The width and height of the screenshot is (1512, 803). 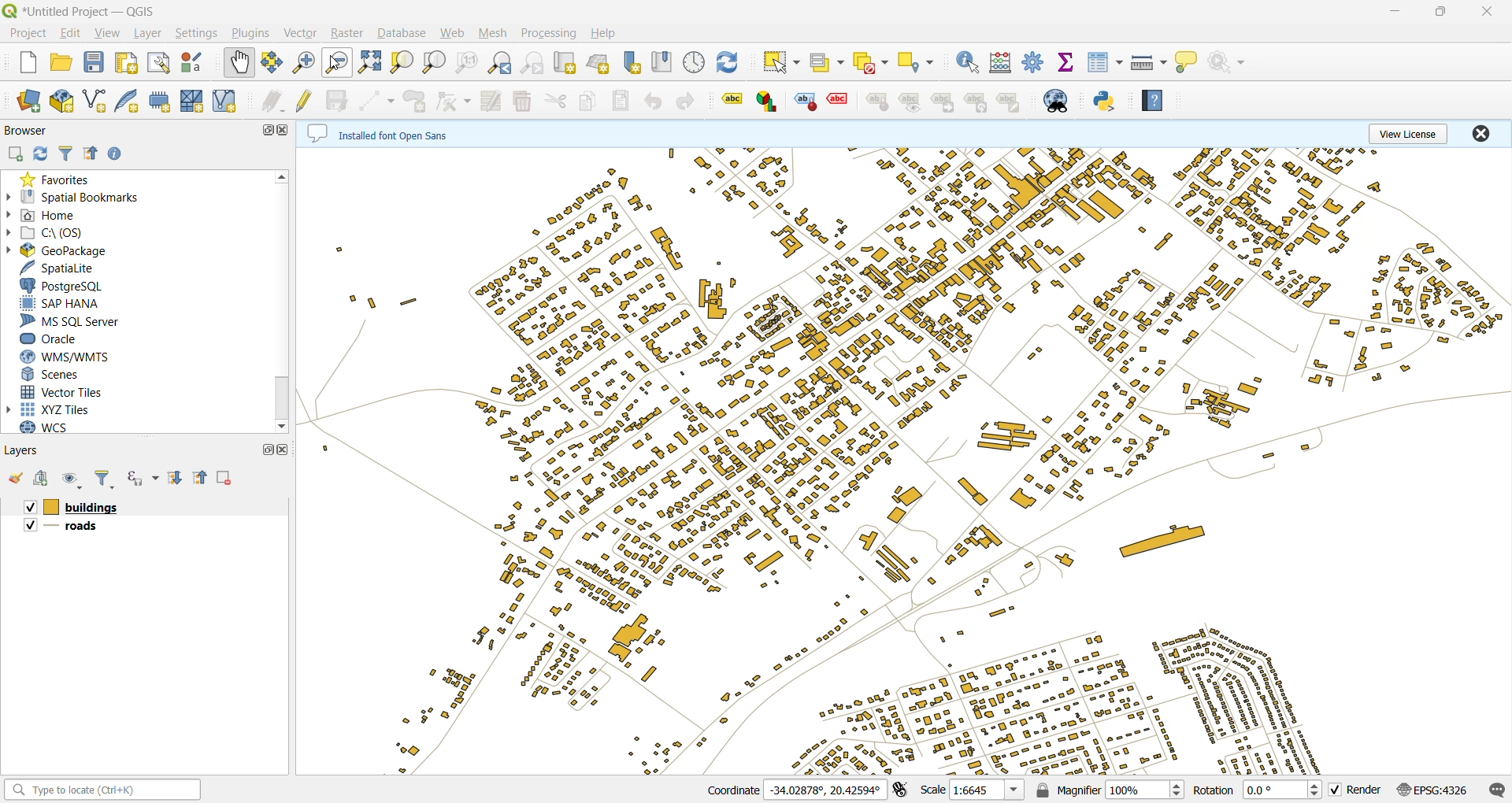 What do you see at coordinates (1227, 62) in the screenshot?
I see `no action` at bounding box center [1227, 62].